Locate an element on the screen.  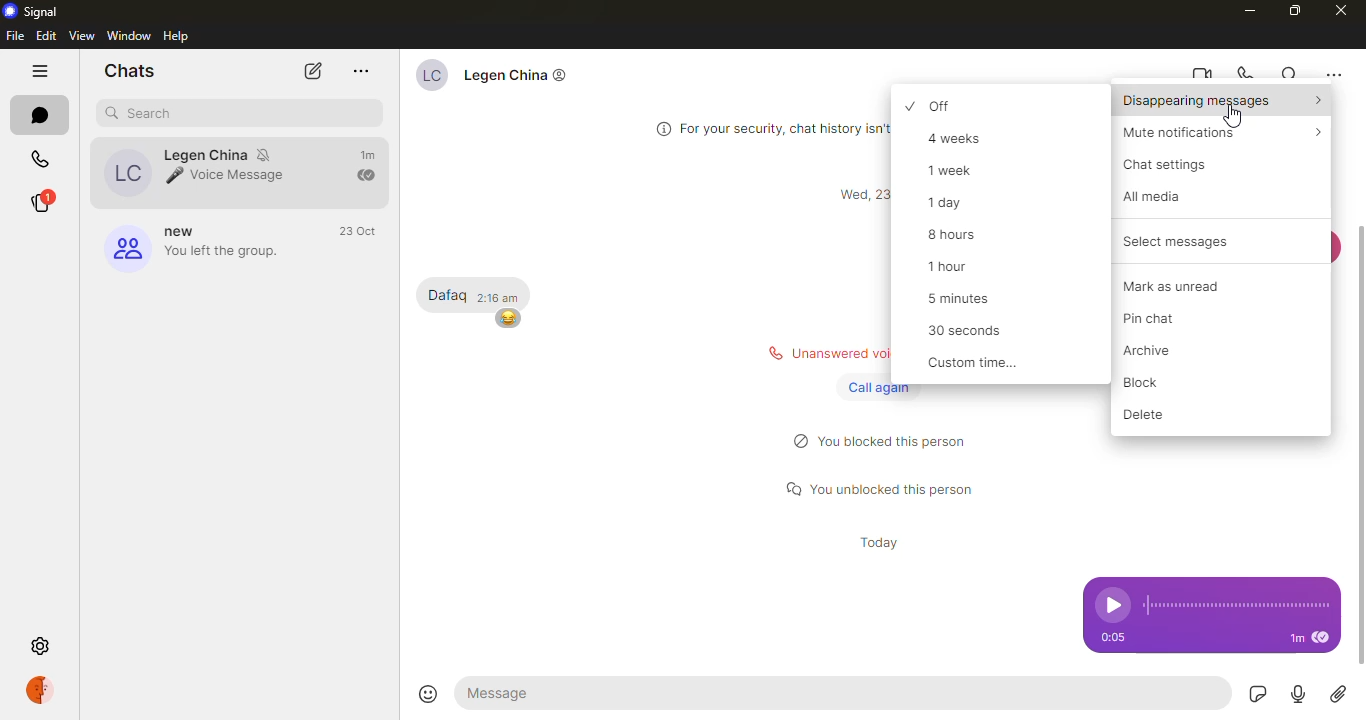
mute is located at coordinates (1210, 133).